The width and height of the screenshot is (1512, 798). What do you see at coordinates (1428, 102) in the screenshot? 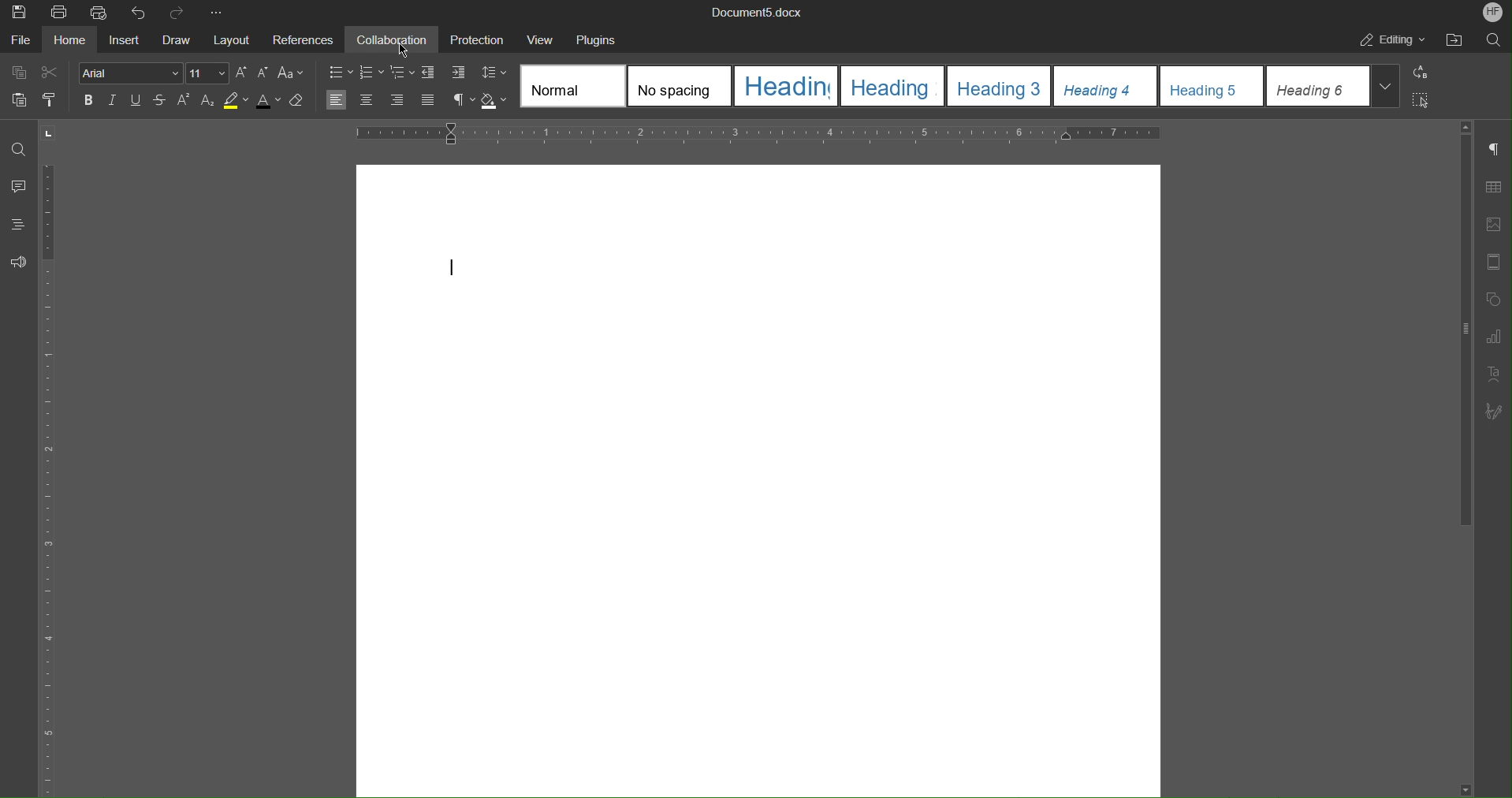
I see `Select All` at bounding box center [1428, 102].